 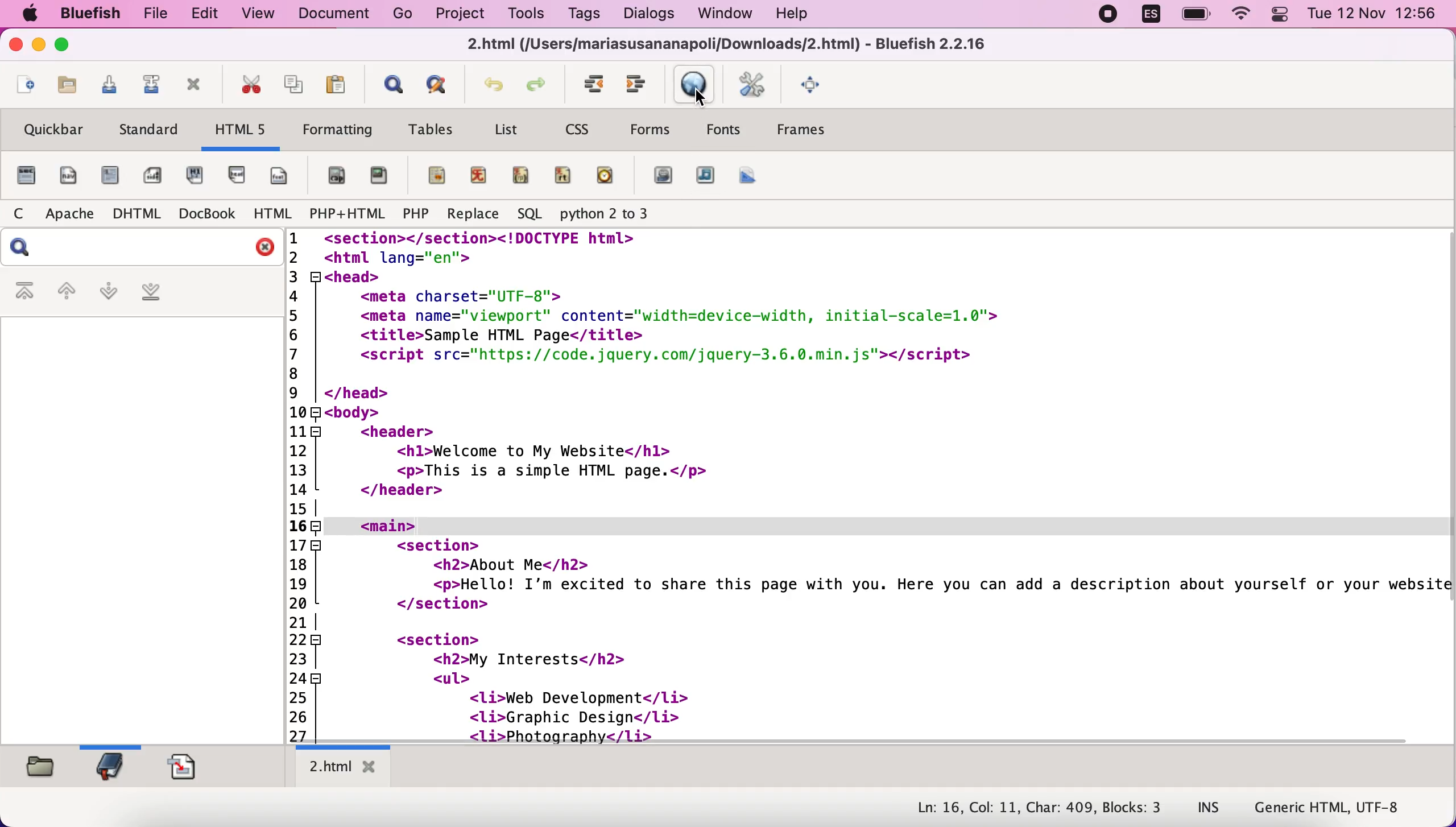 What do you see at coordinates (293, 85) in the screenshot?
I see `copy` at bounding box center [293, 85].